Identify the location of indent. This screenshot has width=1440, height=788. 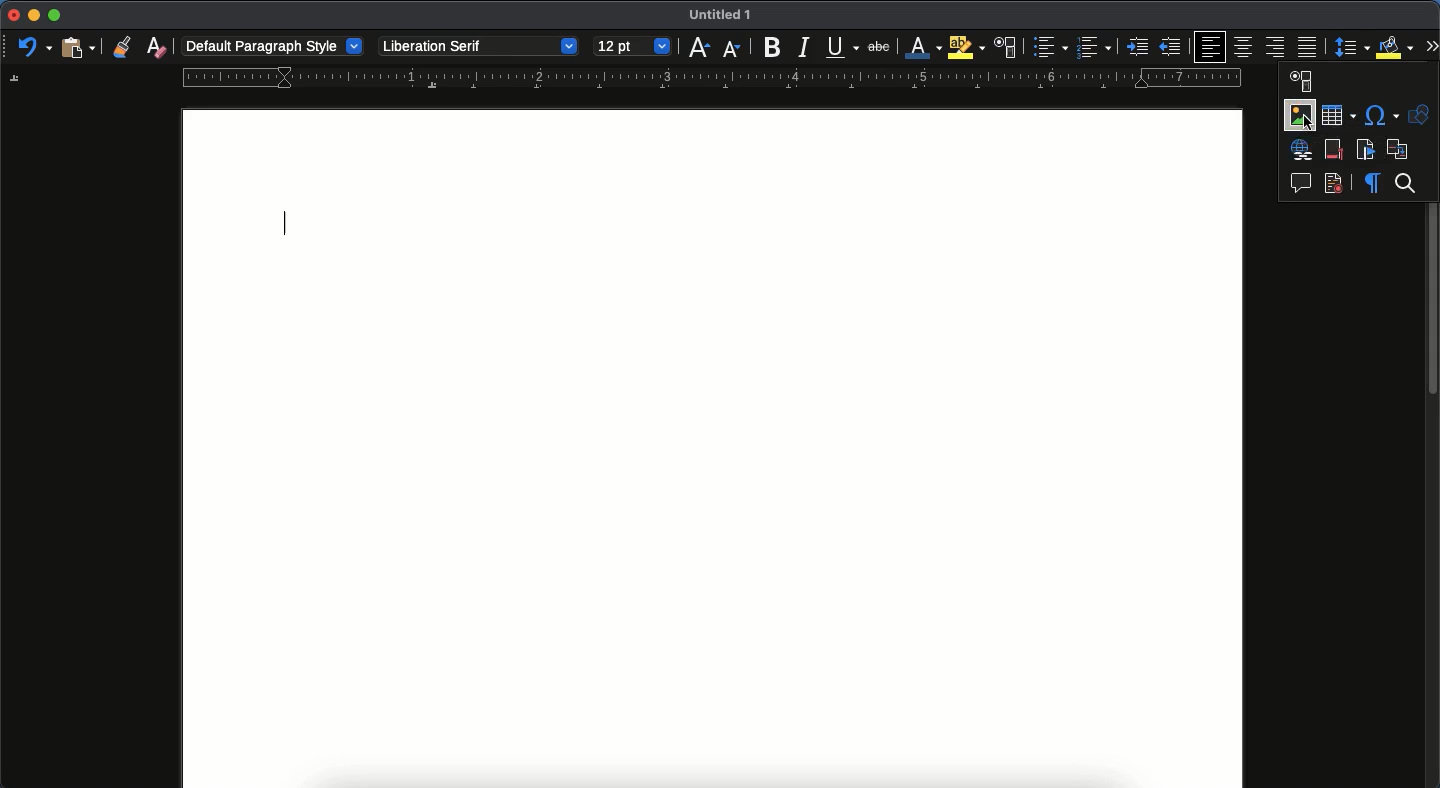
(1139, 47).